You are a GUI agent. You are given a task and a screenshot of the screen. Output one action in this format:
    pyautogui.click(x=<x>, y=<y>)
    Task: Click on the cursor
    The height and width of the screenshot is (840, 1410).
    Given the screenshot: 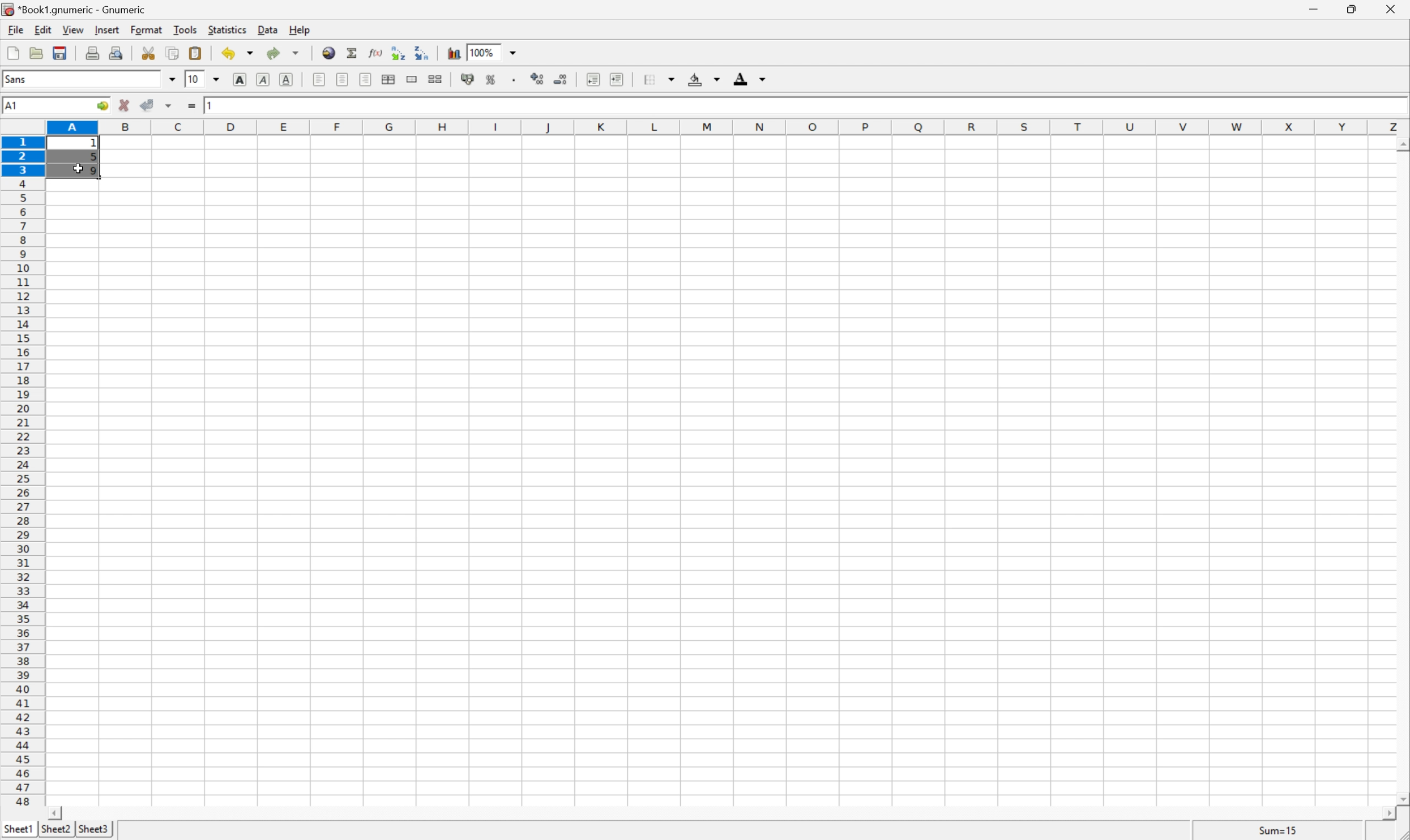 What is the action you would take?
    pyautogui.click(x=79, y=172)
    